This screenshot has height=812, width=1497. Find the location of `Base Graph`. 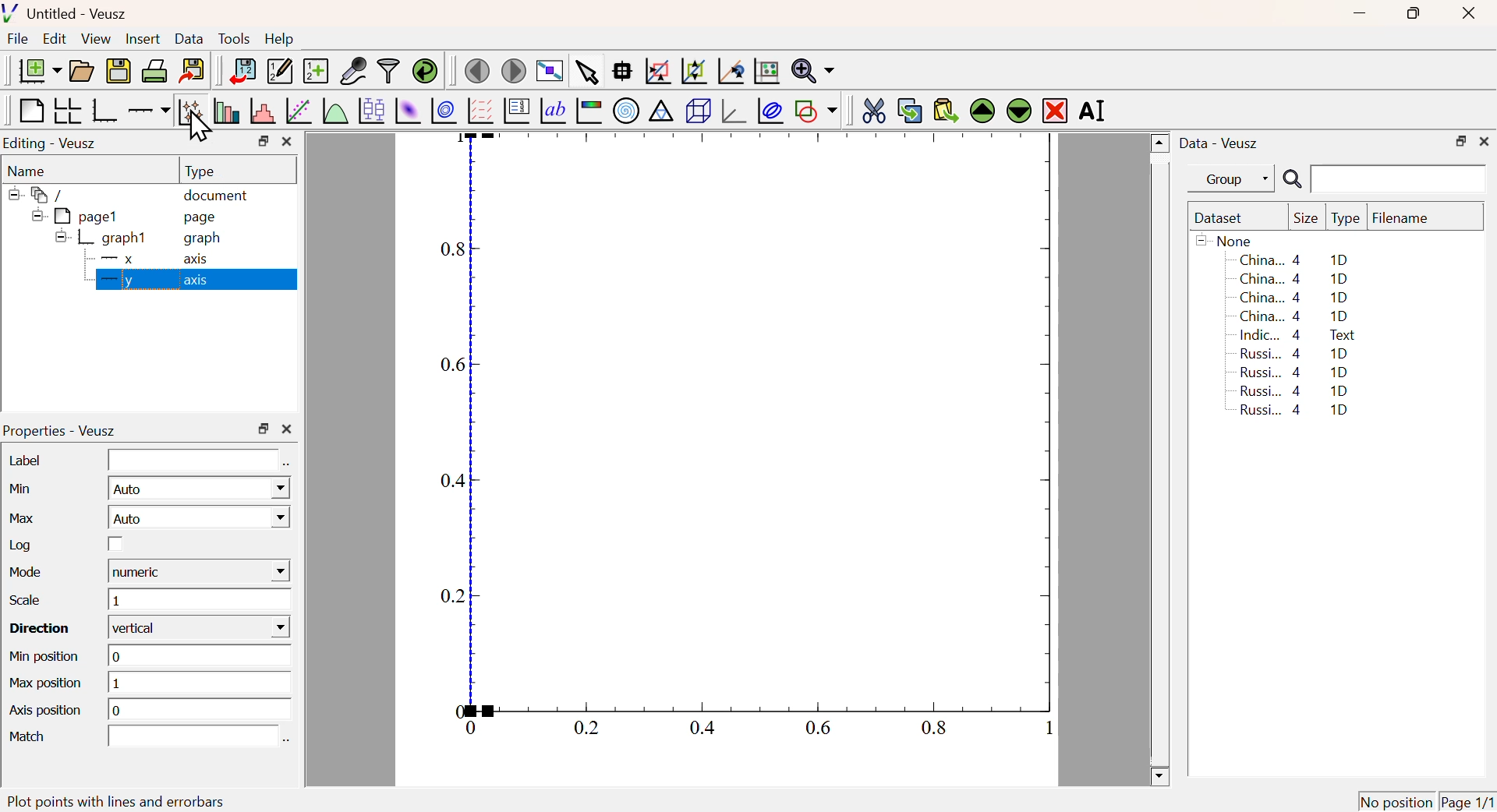

Base Graph is located at coordinates (103, 110).